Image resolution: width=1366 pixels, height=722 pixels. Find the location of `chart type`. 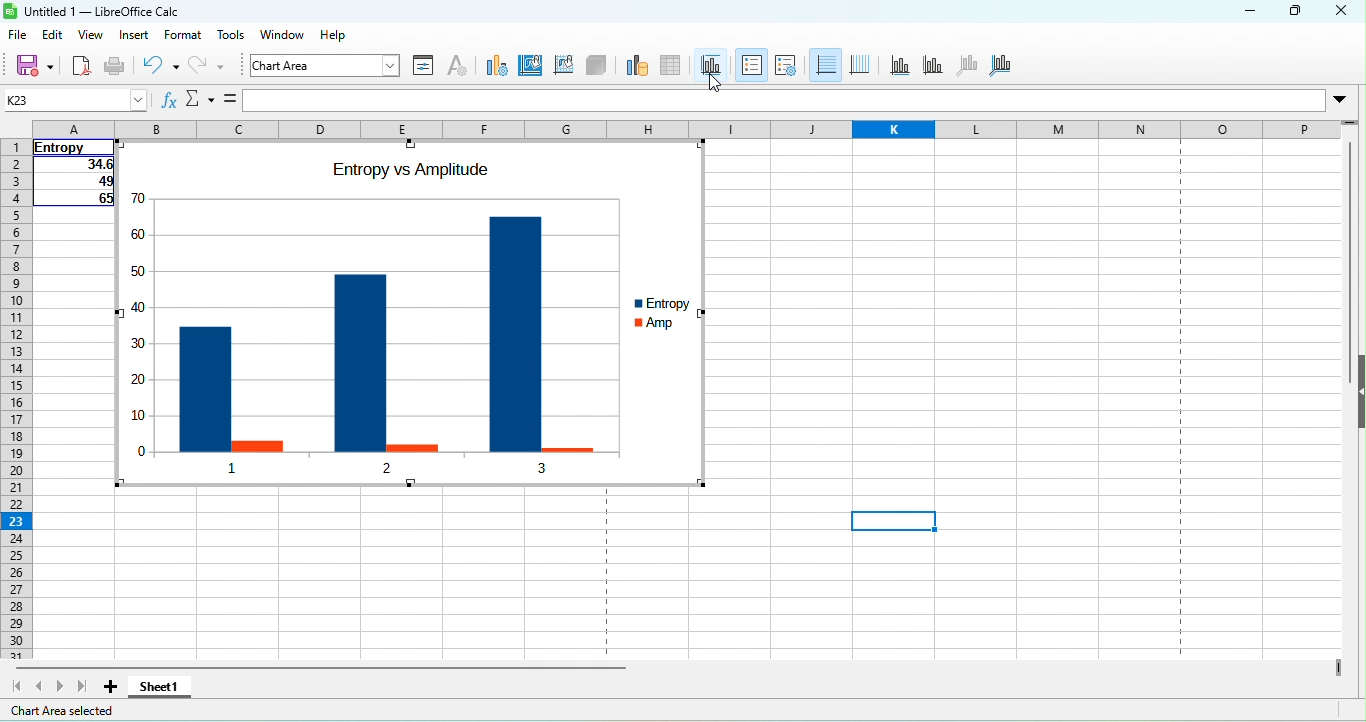

chart type is located at coordinates (496, 69).